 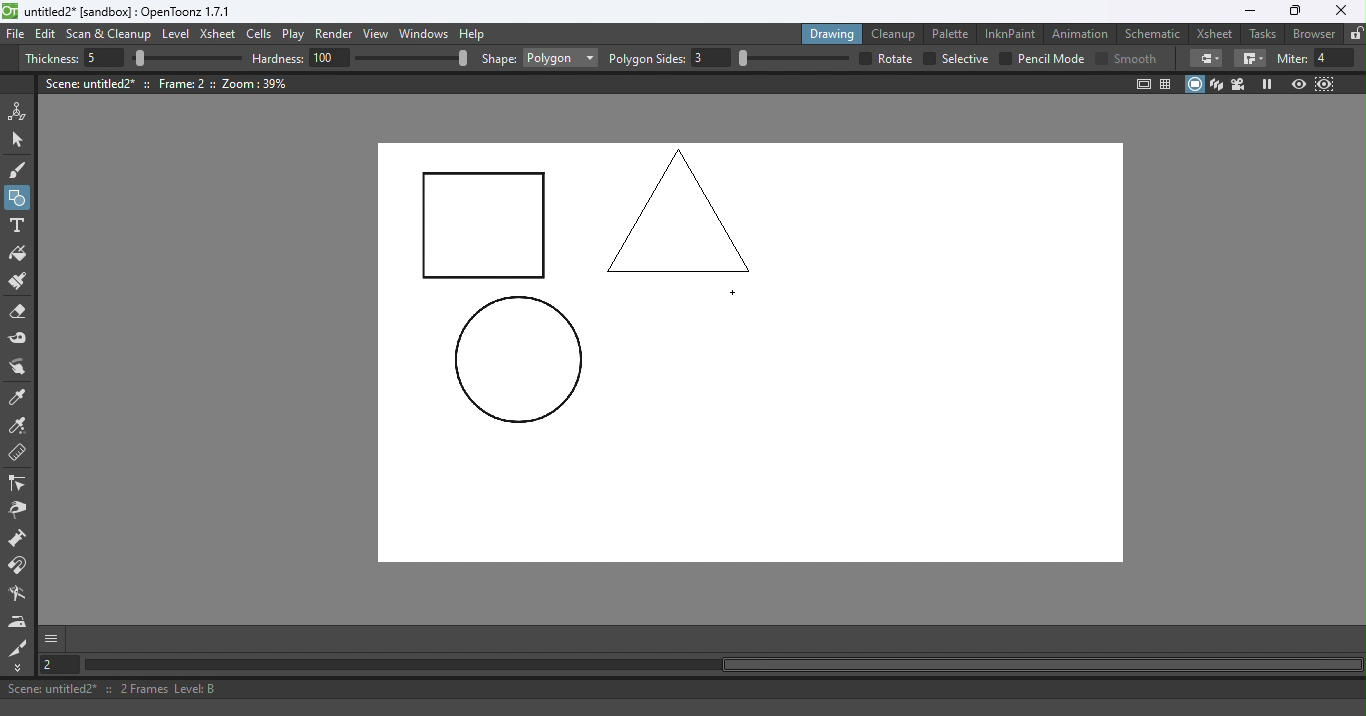 I want to click on shape, so click(x=499, y=60).